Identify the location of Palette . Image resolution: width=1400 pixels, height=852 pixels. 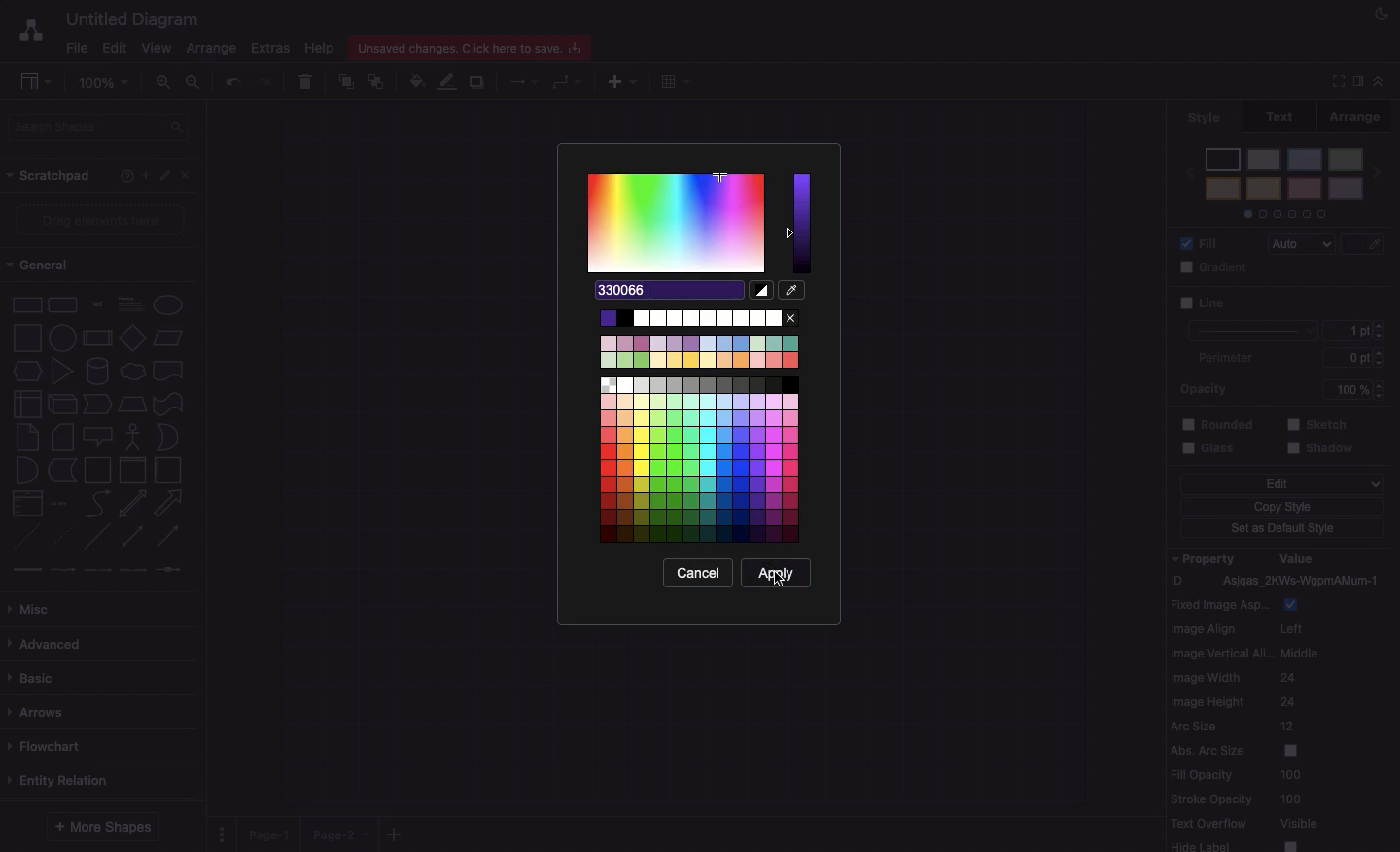
(678, 223).